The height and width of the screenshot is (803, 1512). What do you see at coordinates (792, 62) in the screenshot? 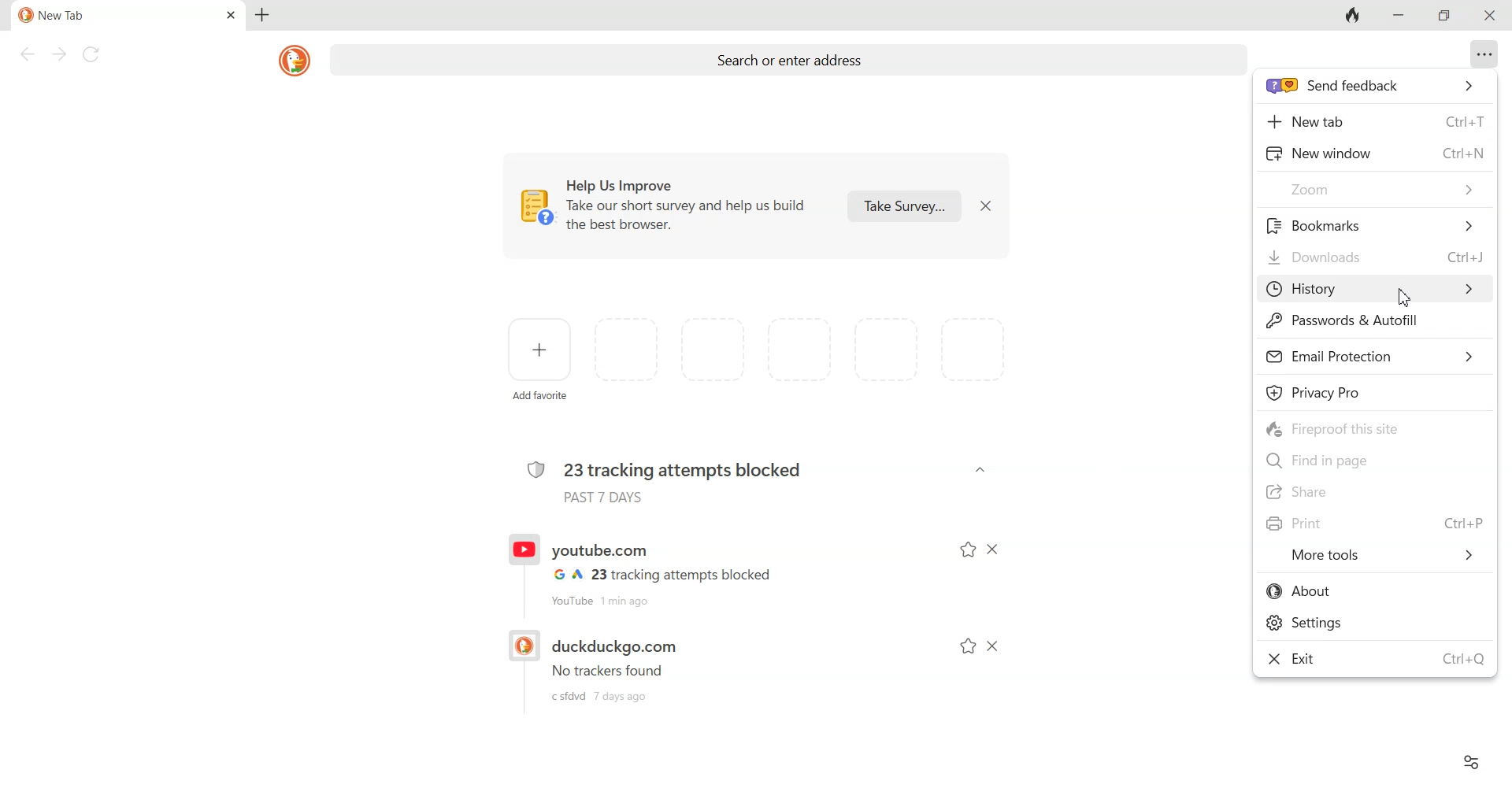
I see `Search or enter address` at bounding box center [792, 62].